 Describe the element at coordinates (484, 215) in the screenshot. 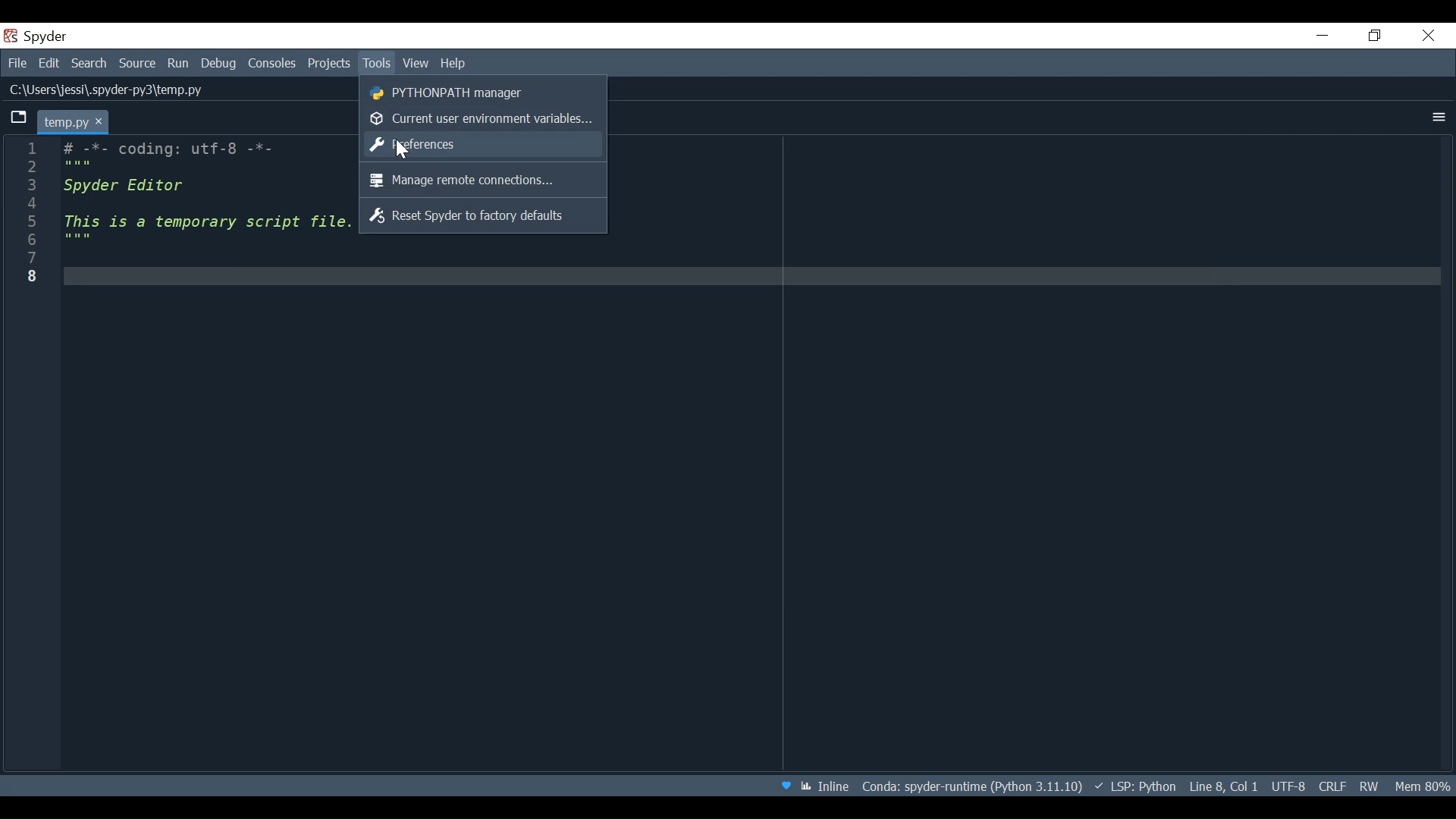

I see `Reset Spyder to factory defaults` at that location.